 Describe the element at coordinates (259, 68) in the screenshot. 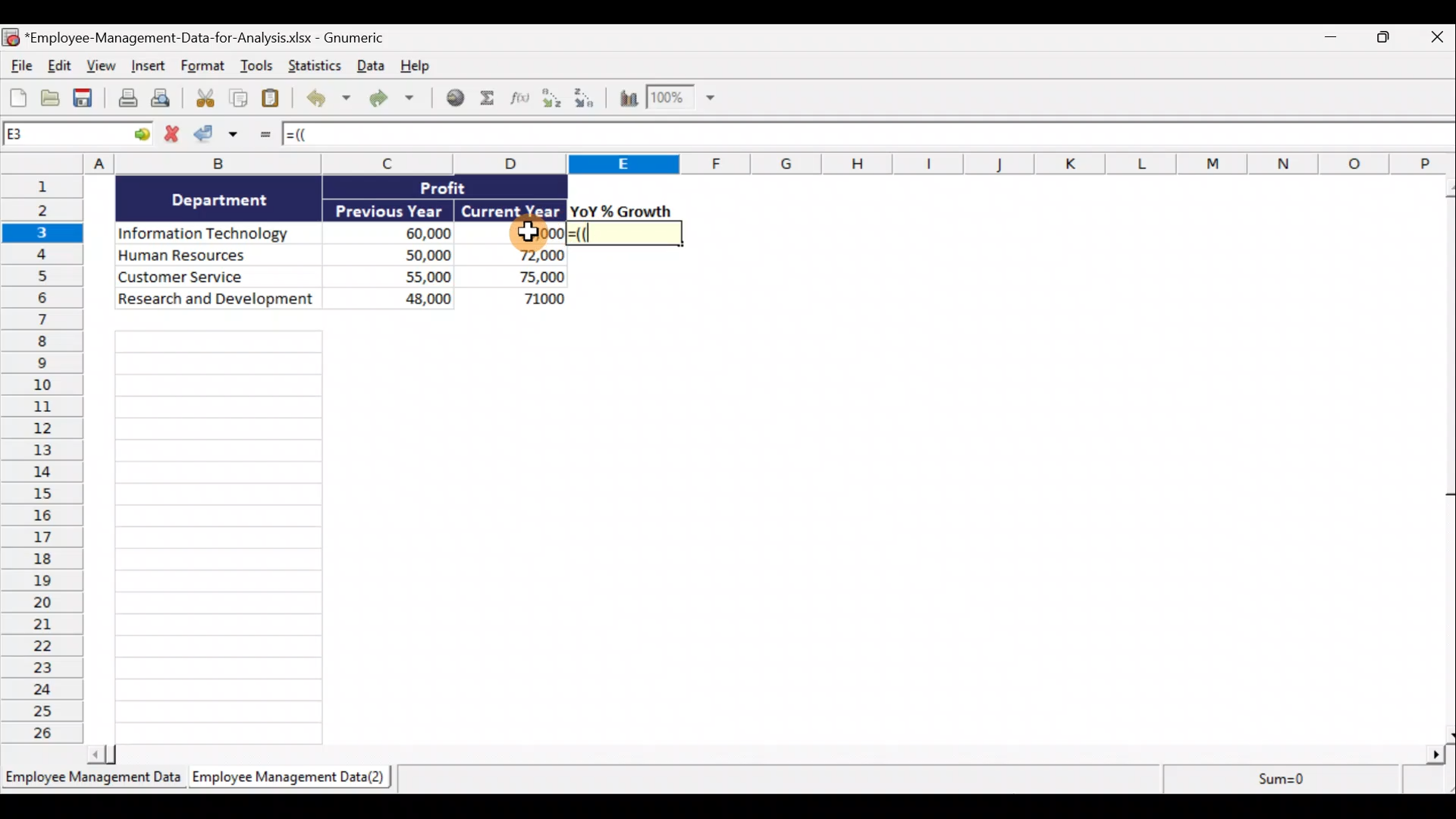

I see `Tools` at that location.